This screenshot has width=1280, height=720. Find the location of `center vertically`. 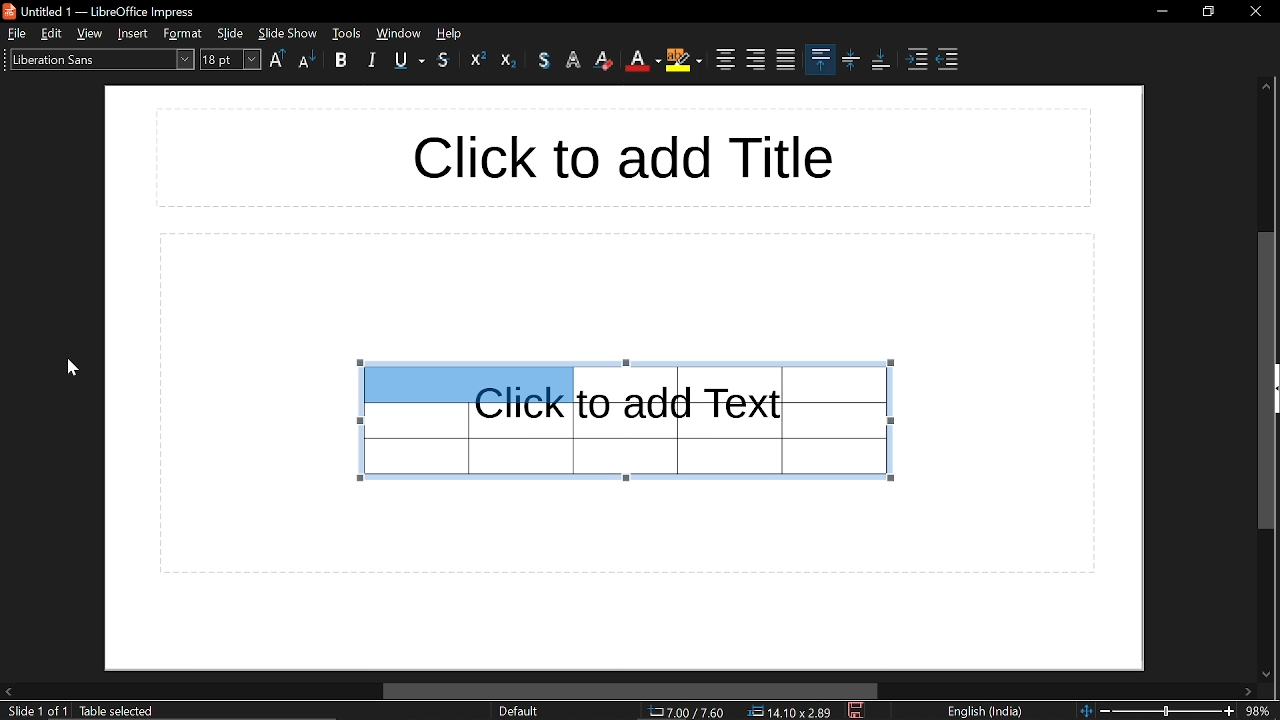

center vertically is located at coordinates (851, 61).